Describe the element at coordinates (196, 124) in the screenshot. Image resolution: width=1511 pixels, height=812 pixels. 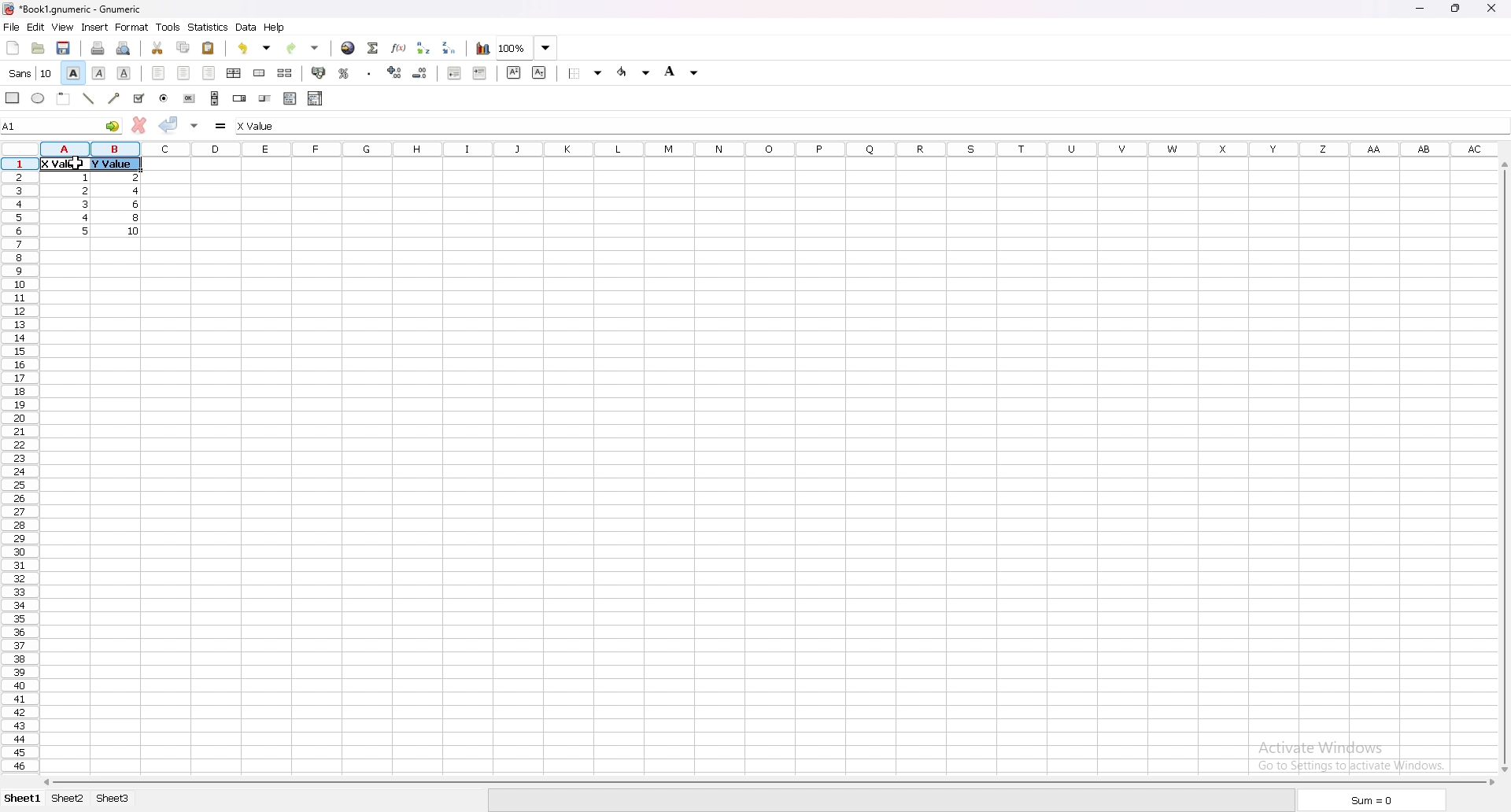
I see `accept change in multple cell` at that location.